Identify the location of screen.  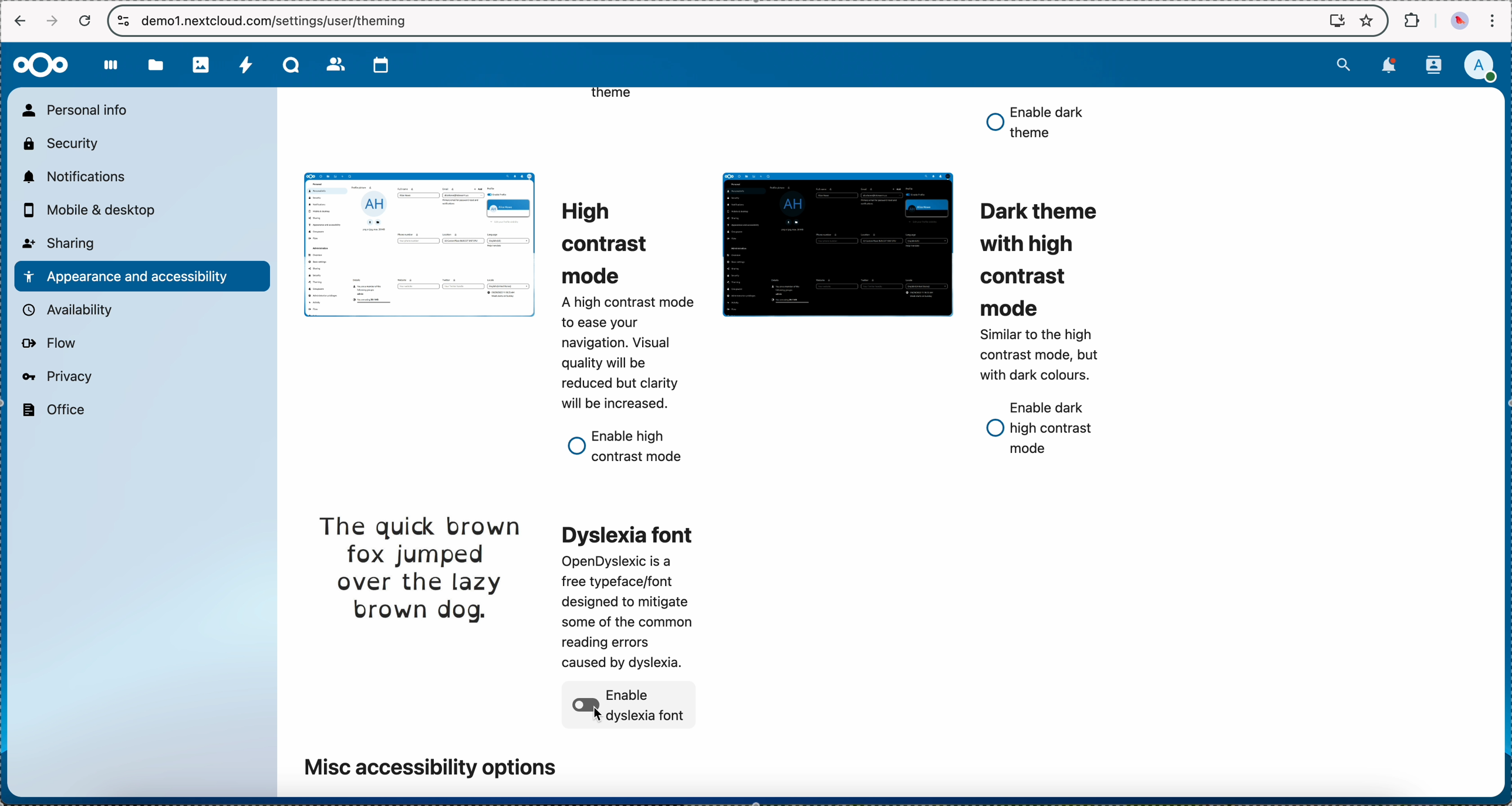
(1331, 21).